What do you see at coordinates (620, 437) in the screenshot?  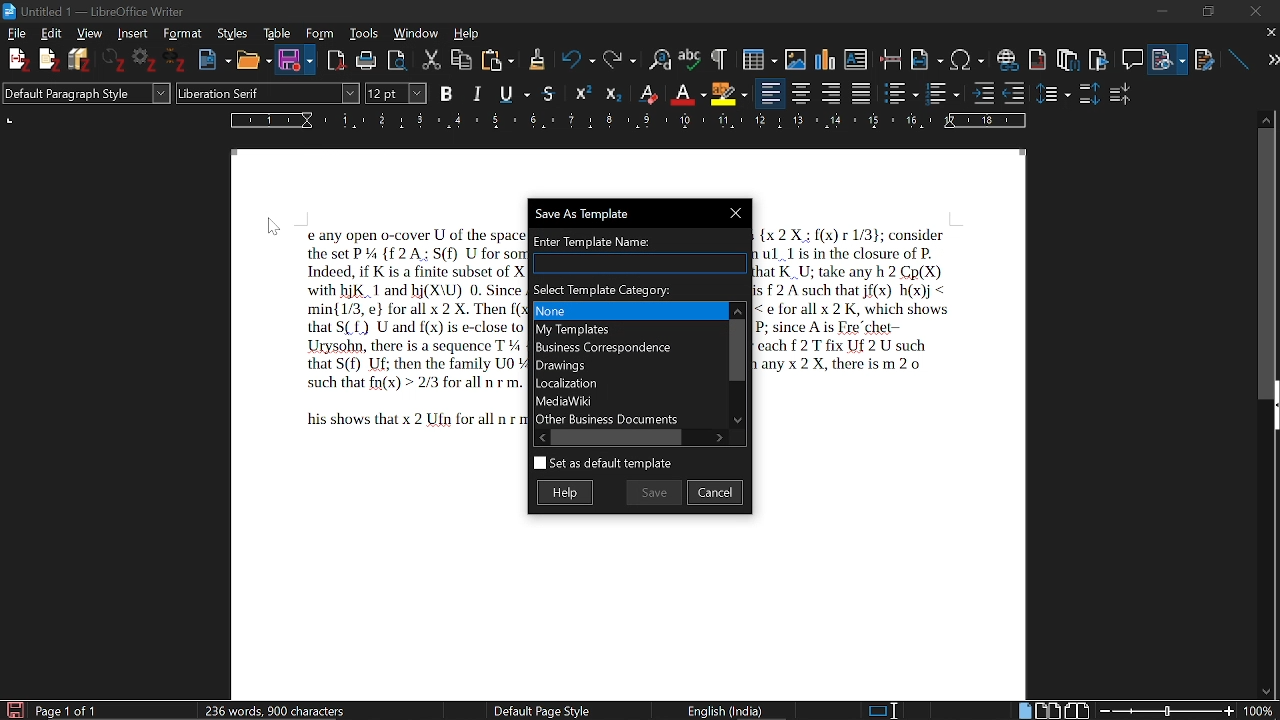 I see `Horizontal scrollbar` at bounding box center [620, 437].